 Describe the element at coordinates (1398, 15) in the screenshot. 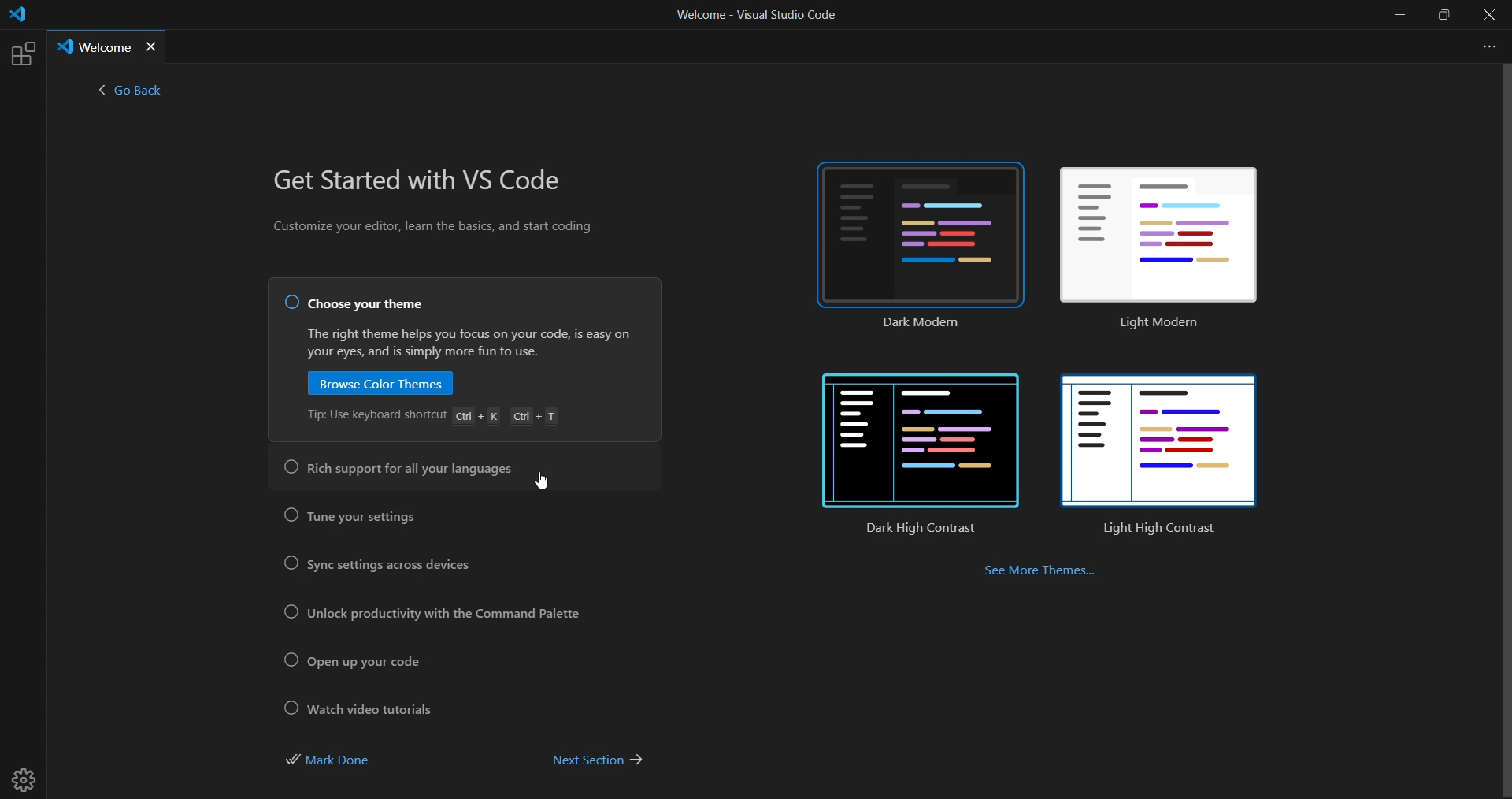

I see `minimize` at that location.